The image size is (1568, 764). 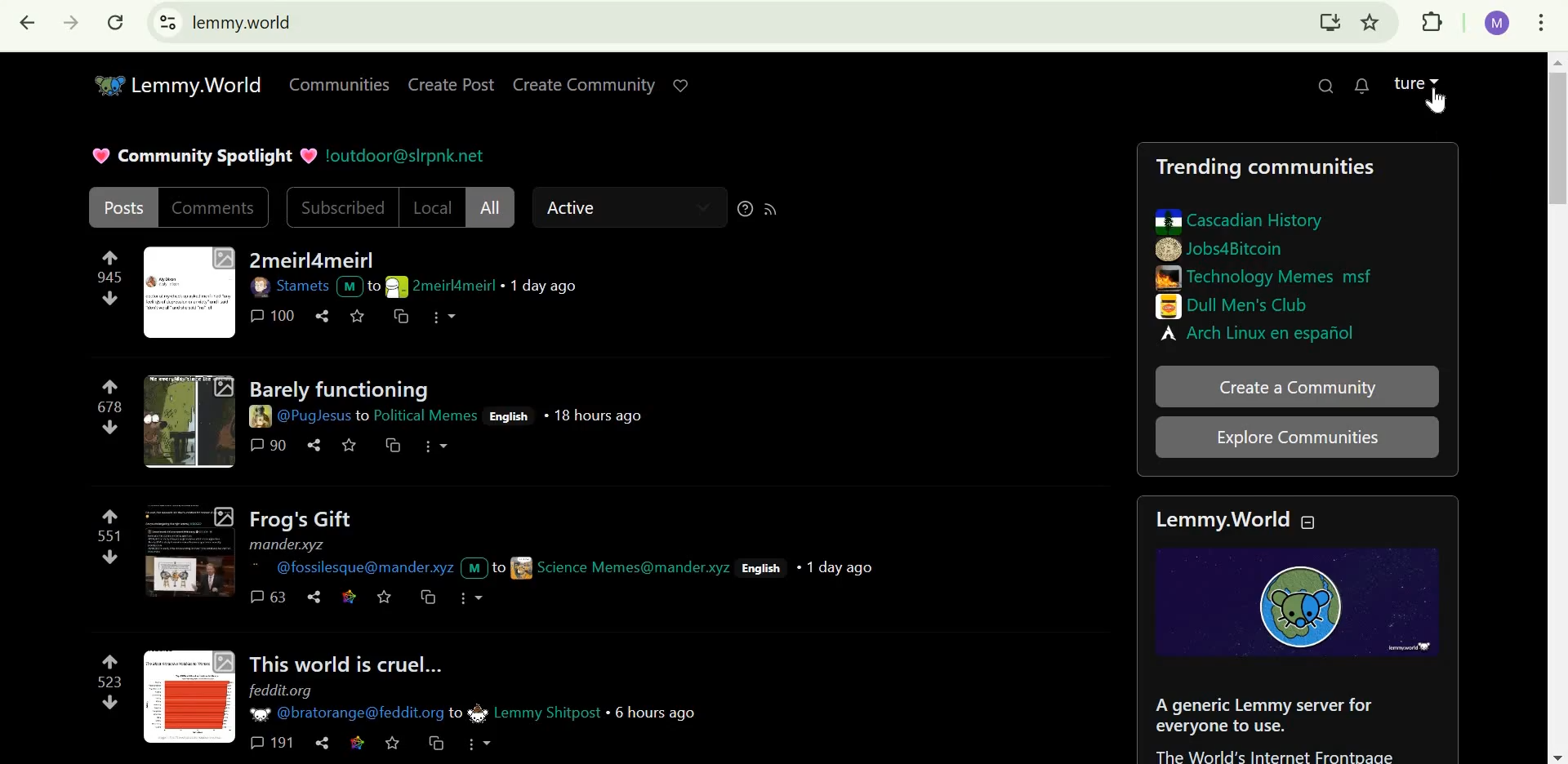 I want to click on click to go forward, hold to see history, so click(x=66, y=23).